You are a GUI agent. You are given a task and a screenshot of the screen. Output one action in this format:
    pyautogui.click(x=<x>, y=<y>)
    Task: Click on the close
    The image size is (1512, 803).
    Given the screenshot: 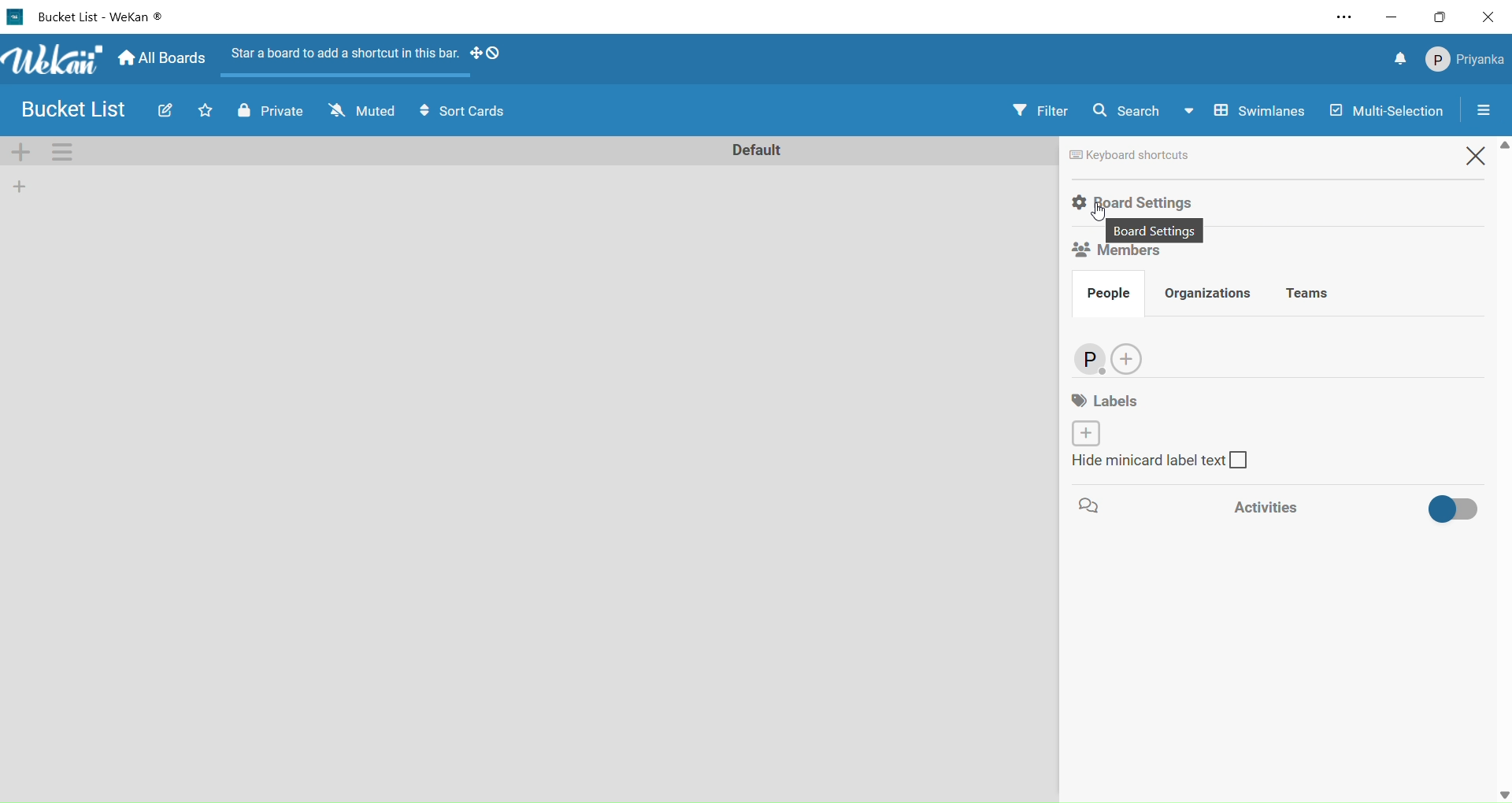 What is the action you would take?
    pyautogui.click(x=1490, y=17)
    